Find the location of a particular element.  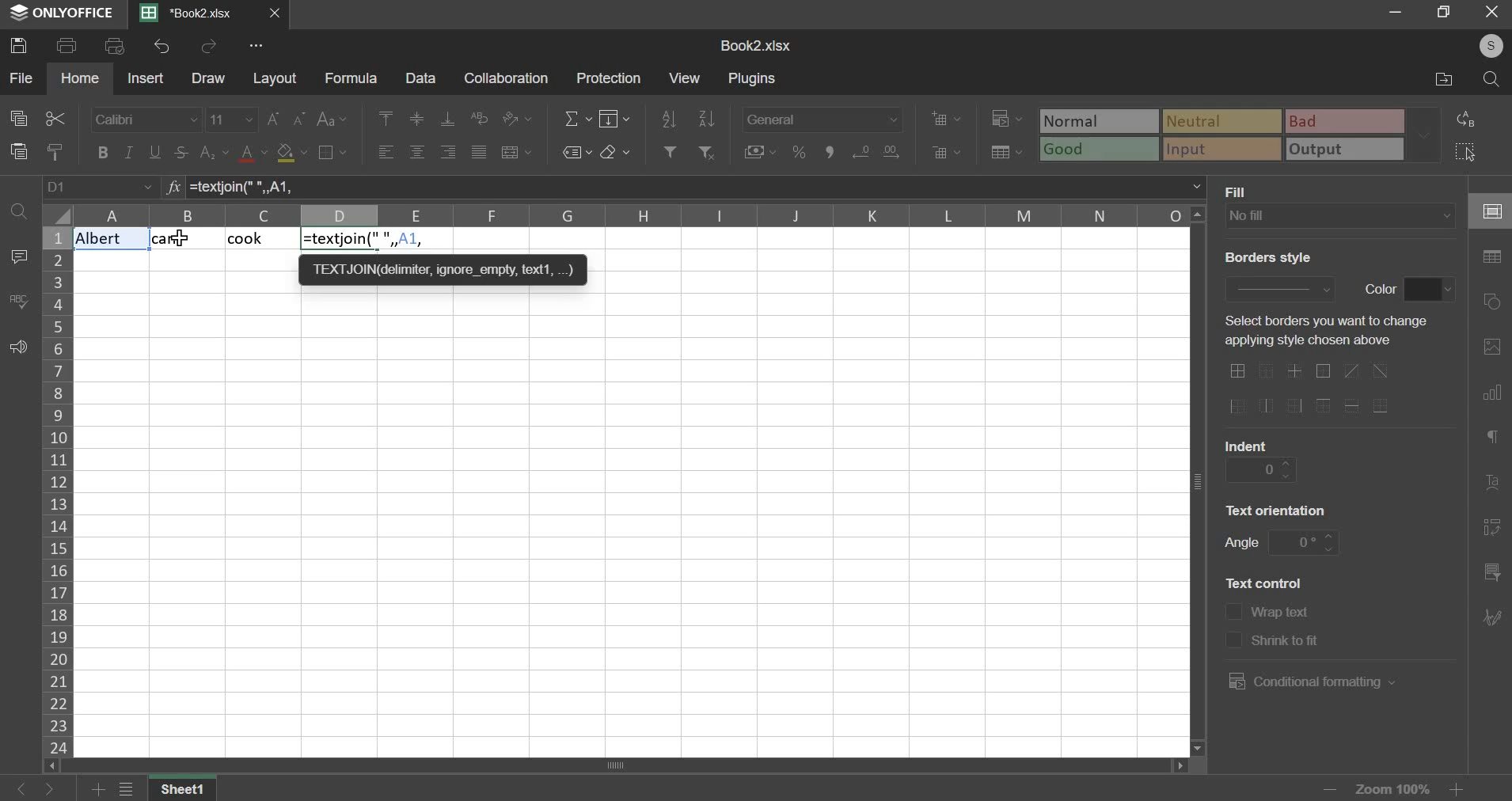

border color is located at coordinates (1430, 290).